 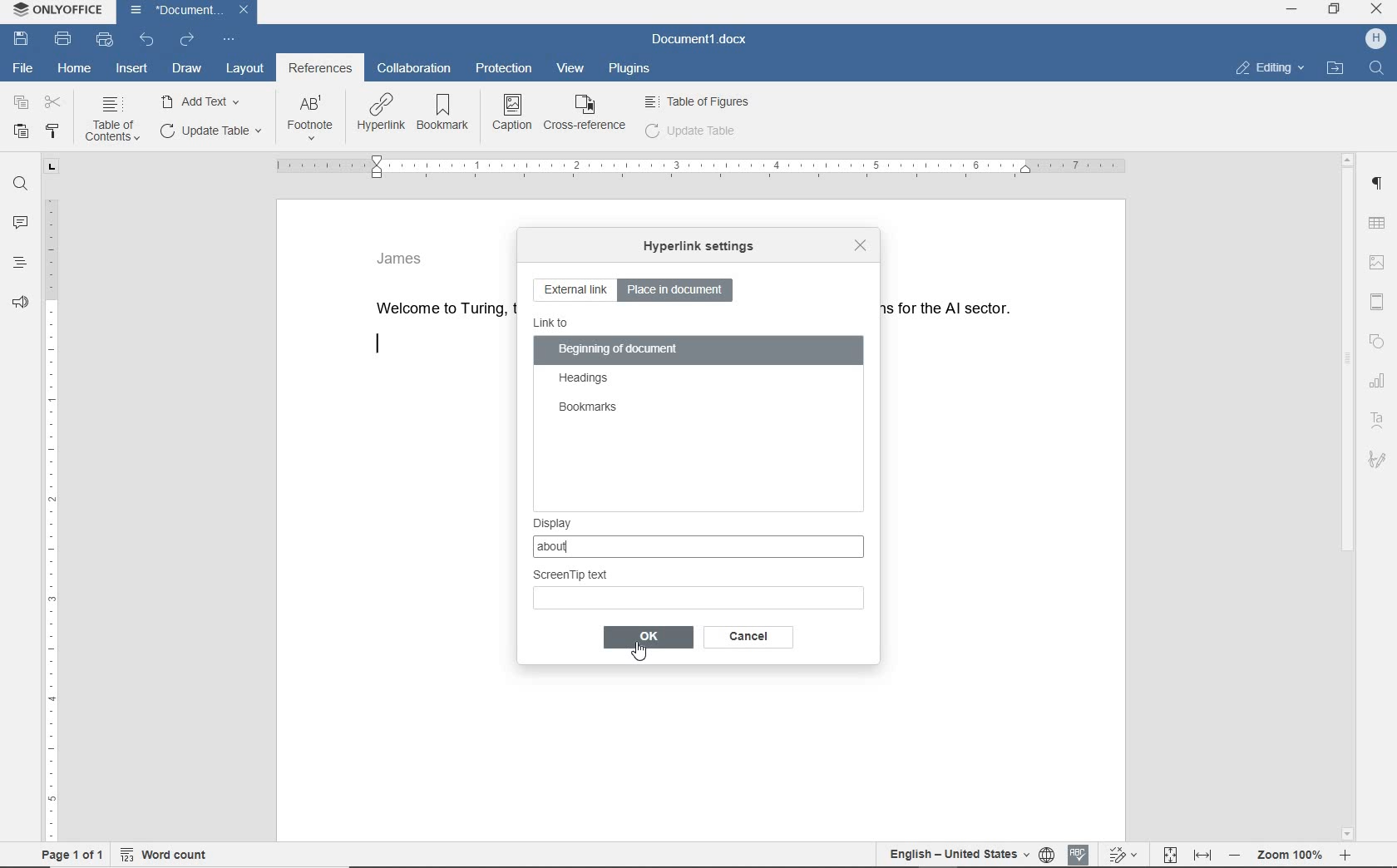 I want to click on protection, so click(x=506, y=70).